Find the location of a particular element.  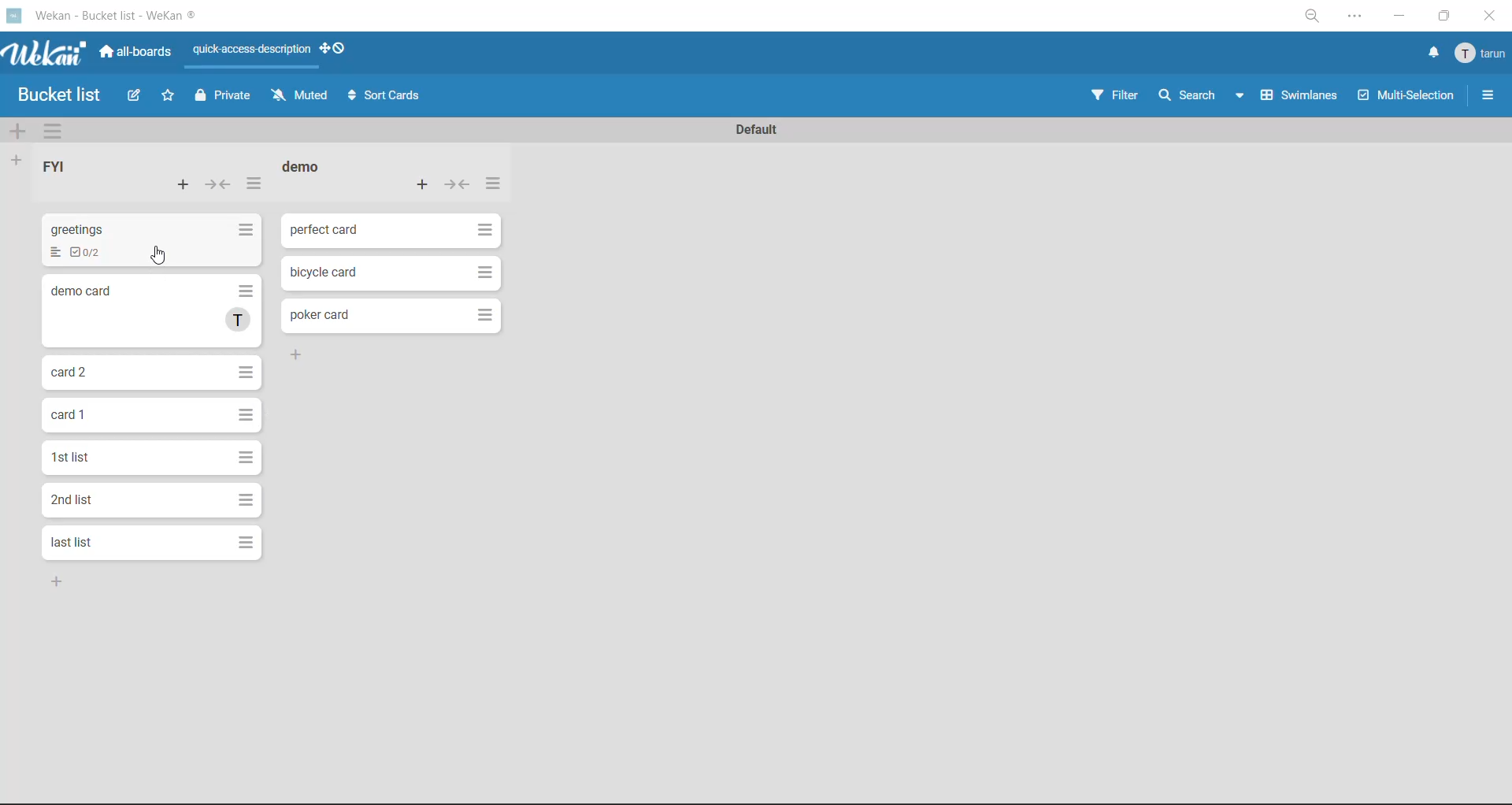

menu is located at coordinates (1483, 52).